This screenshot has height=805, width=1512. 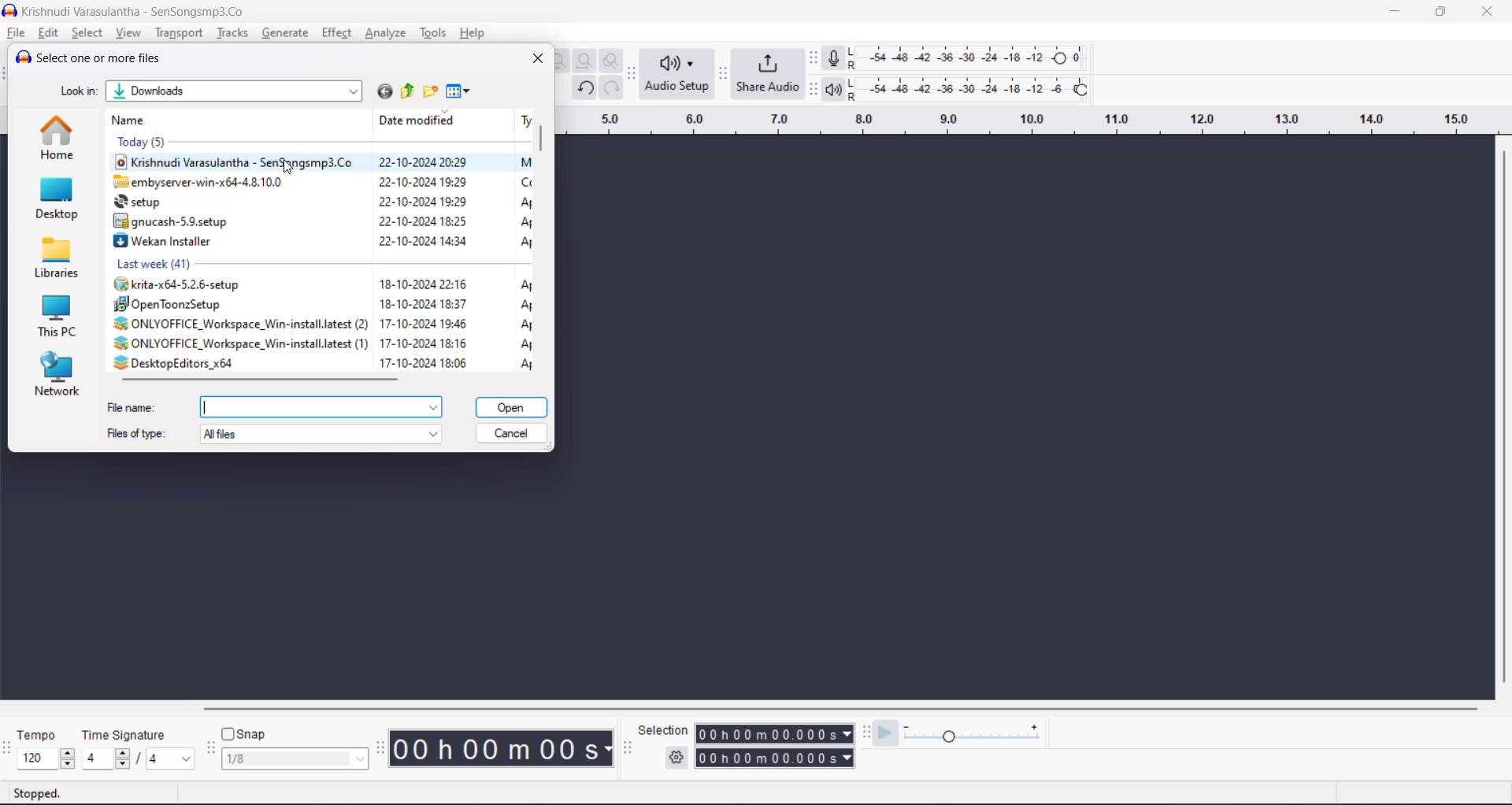 What do you see at coordinates (724, 75) in the screenshot?
I see `share audio toolbar` at bounding box center [724, 75].